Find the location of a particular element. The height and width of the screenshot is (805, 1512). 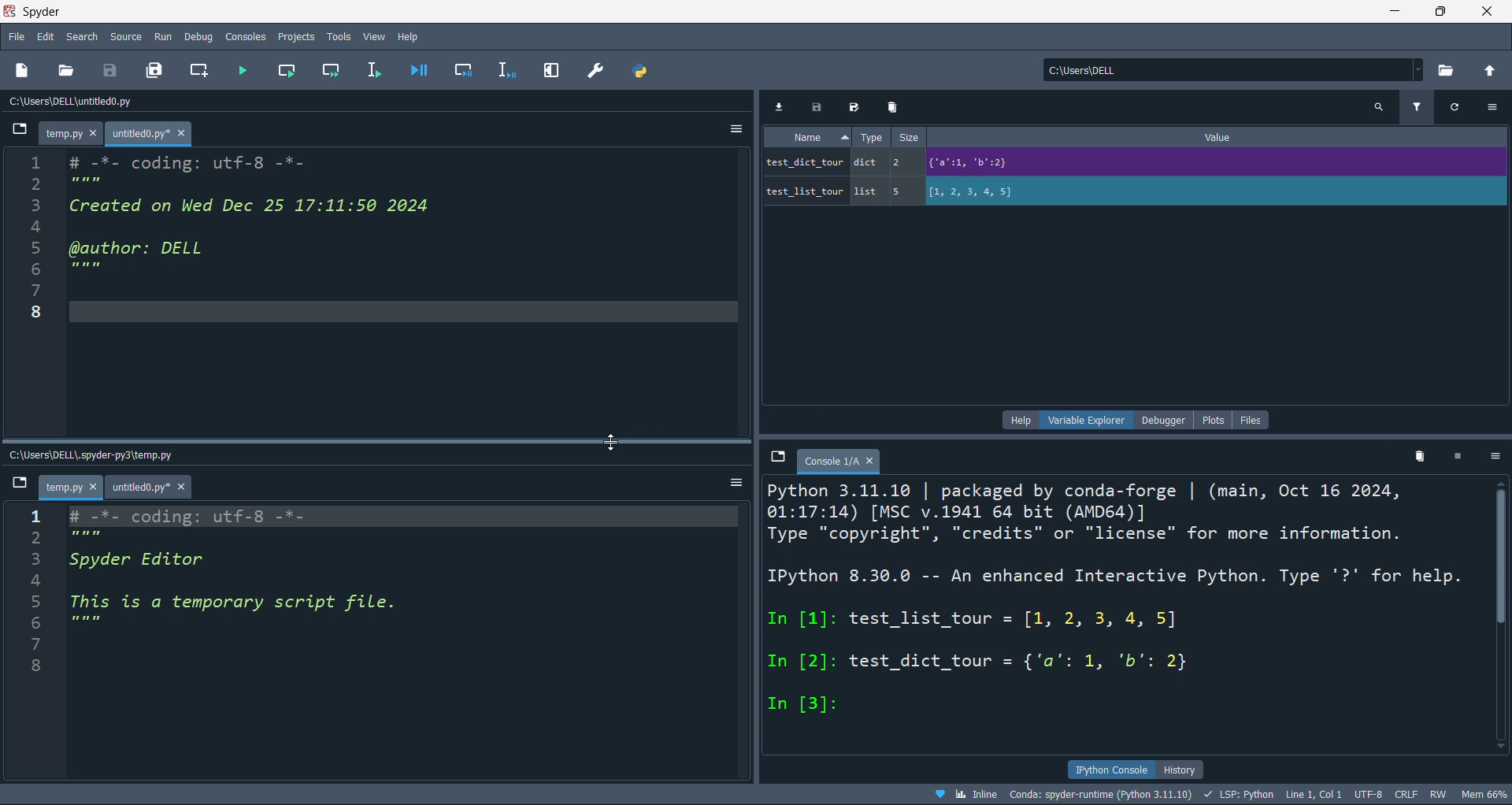

SAVE is located at coordinates (113, 69).